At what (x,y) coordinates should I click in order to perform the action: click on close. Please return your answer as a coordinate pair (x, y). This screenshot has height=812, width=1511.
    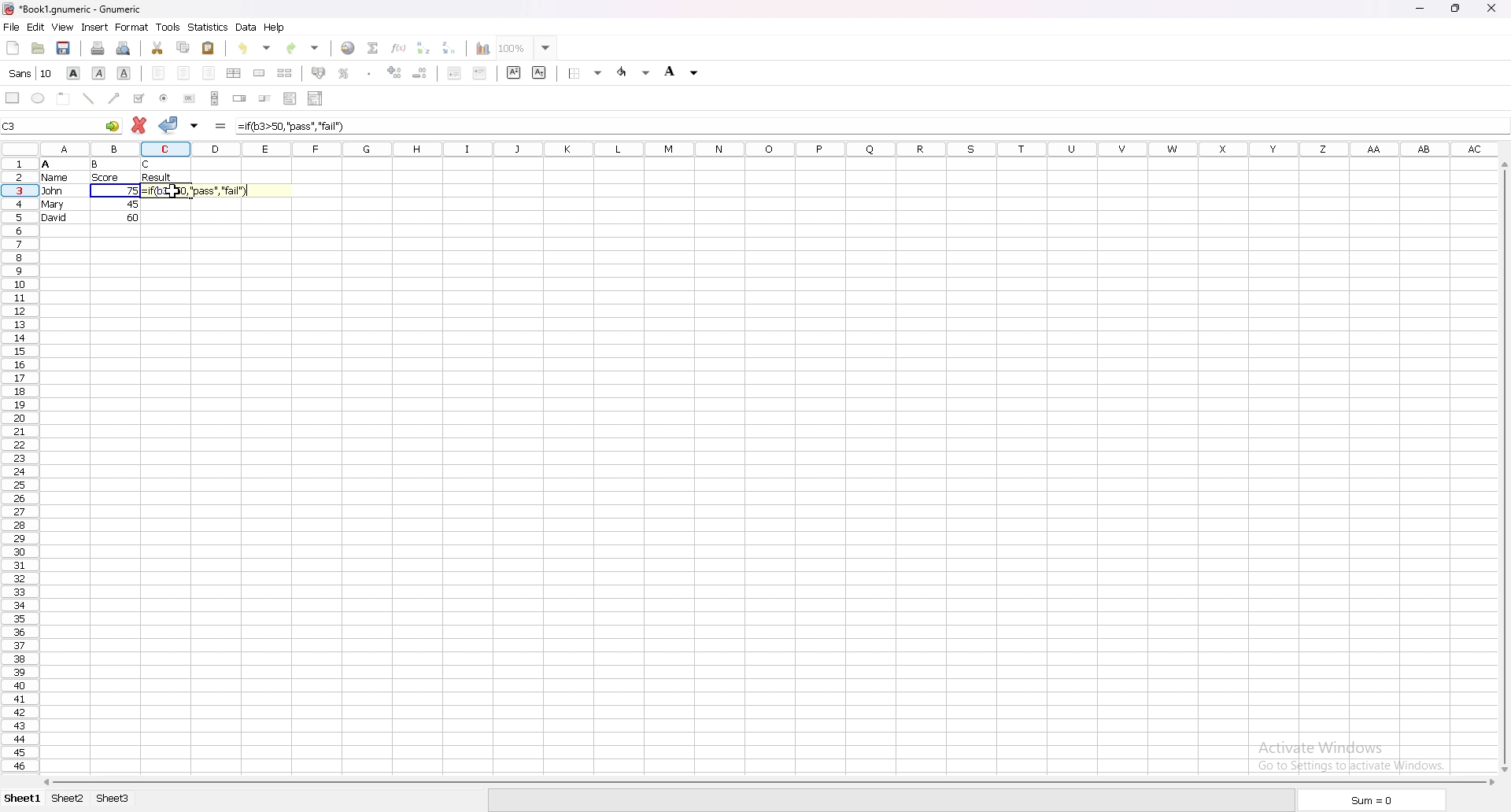
    Looking at the image, I should click on (1495, 8).